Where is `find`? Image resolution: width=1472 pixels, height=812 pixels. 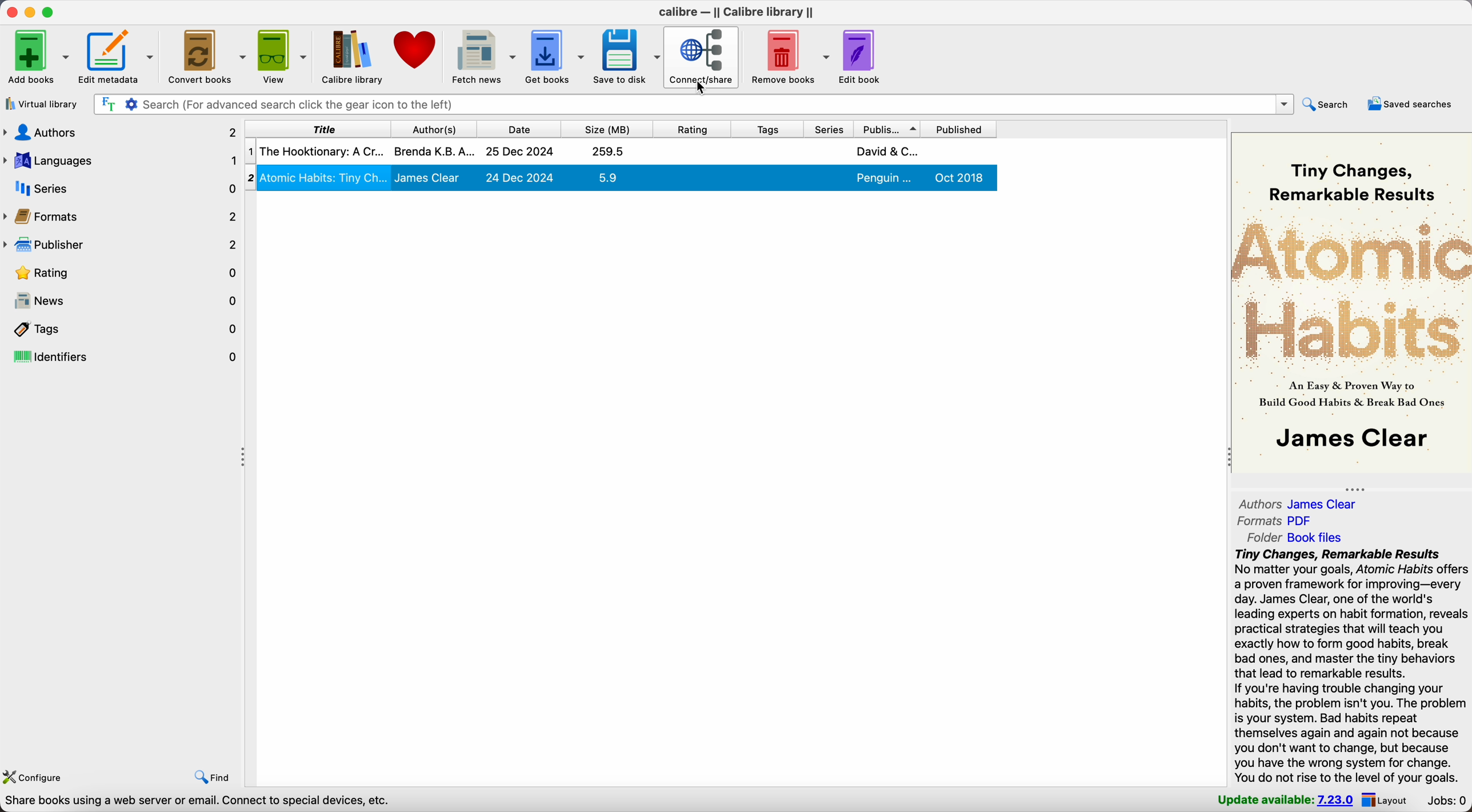
find is located at coordinates (211, 778).